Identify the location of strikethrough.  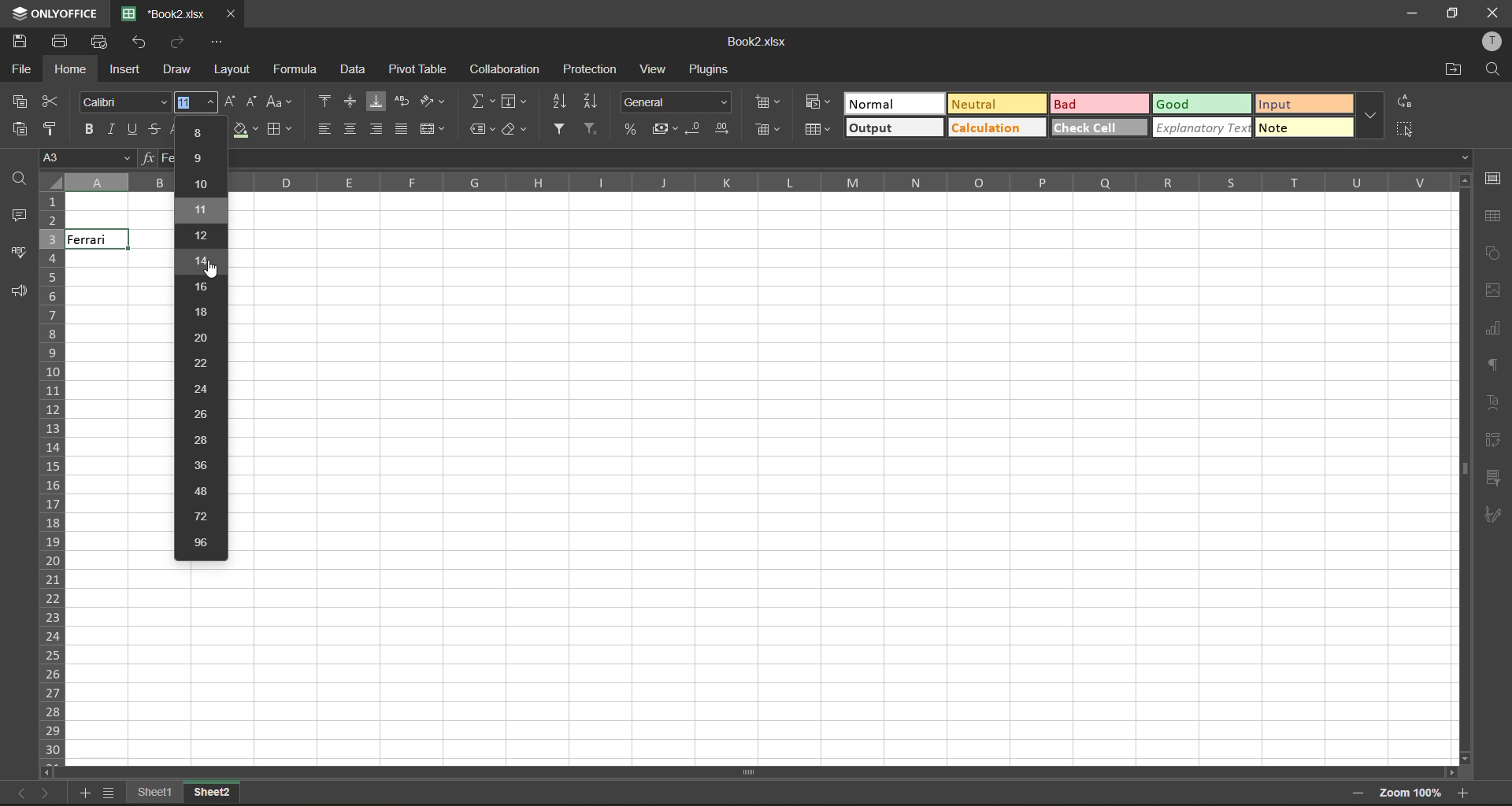
(156, 131).